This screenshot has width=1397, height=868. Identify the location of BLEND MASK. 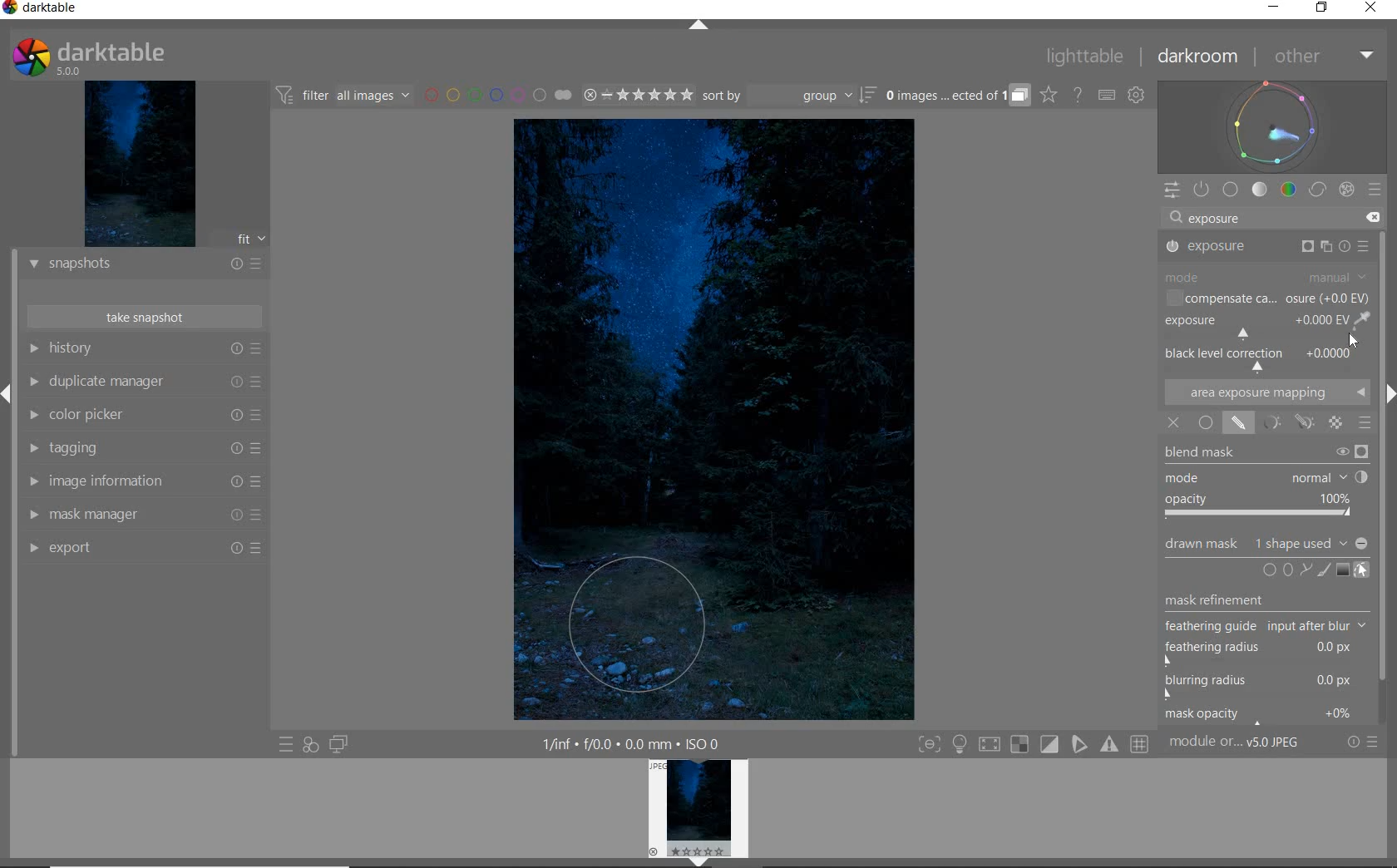
(1268, 481).